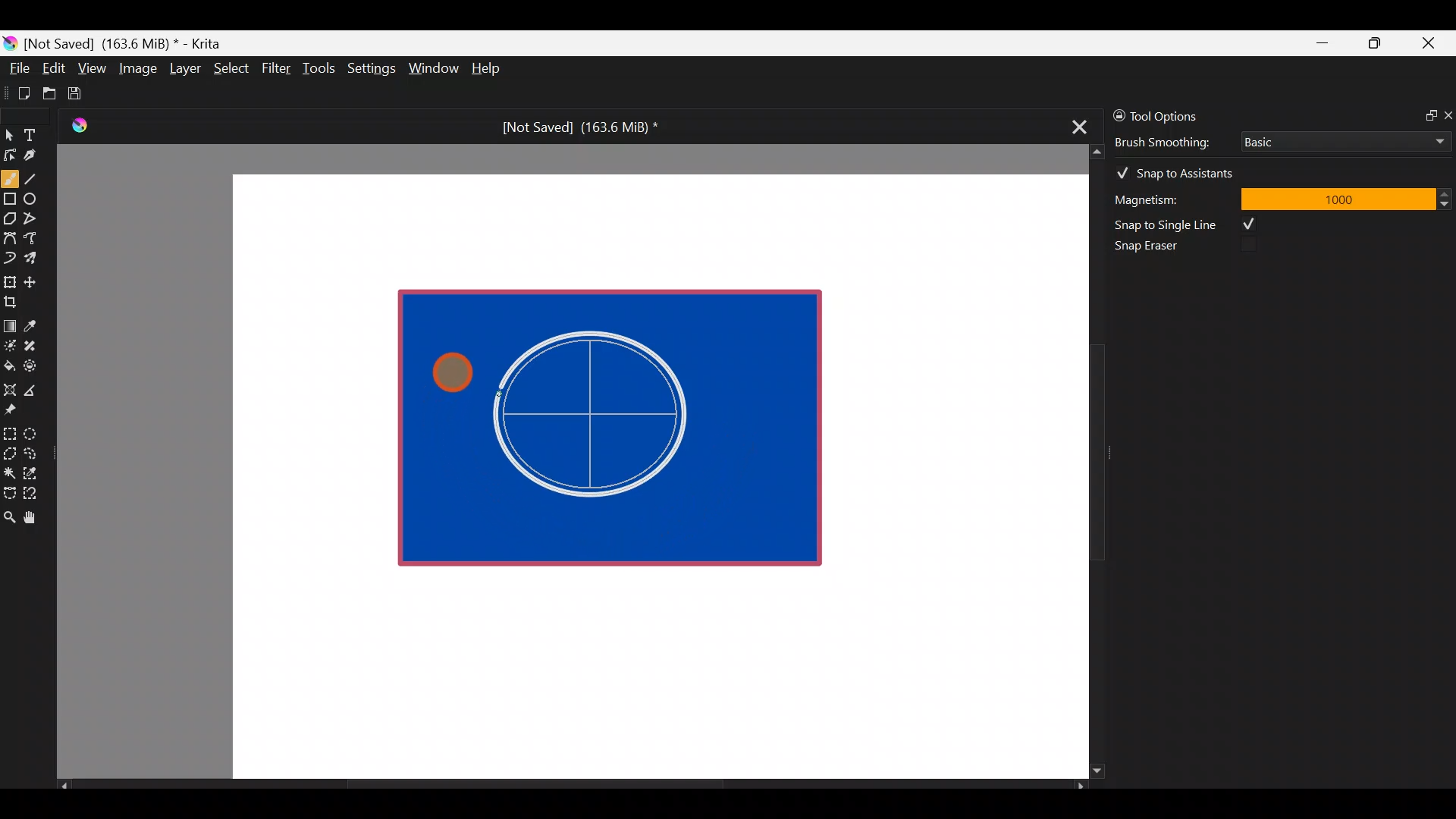 The image size is (1456, 819). I want to click on Multibrush tool, so click(36, 257).